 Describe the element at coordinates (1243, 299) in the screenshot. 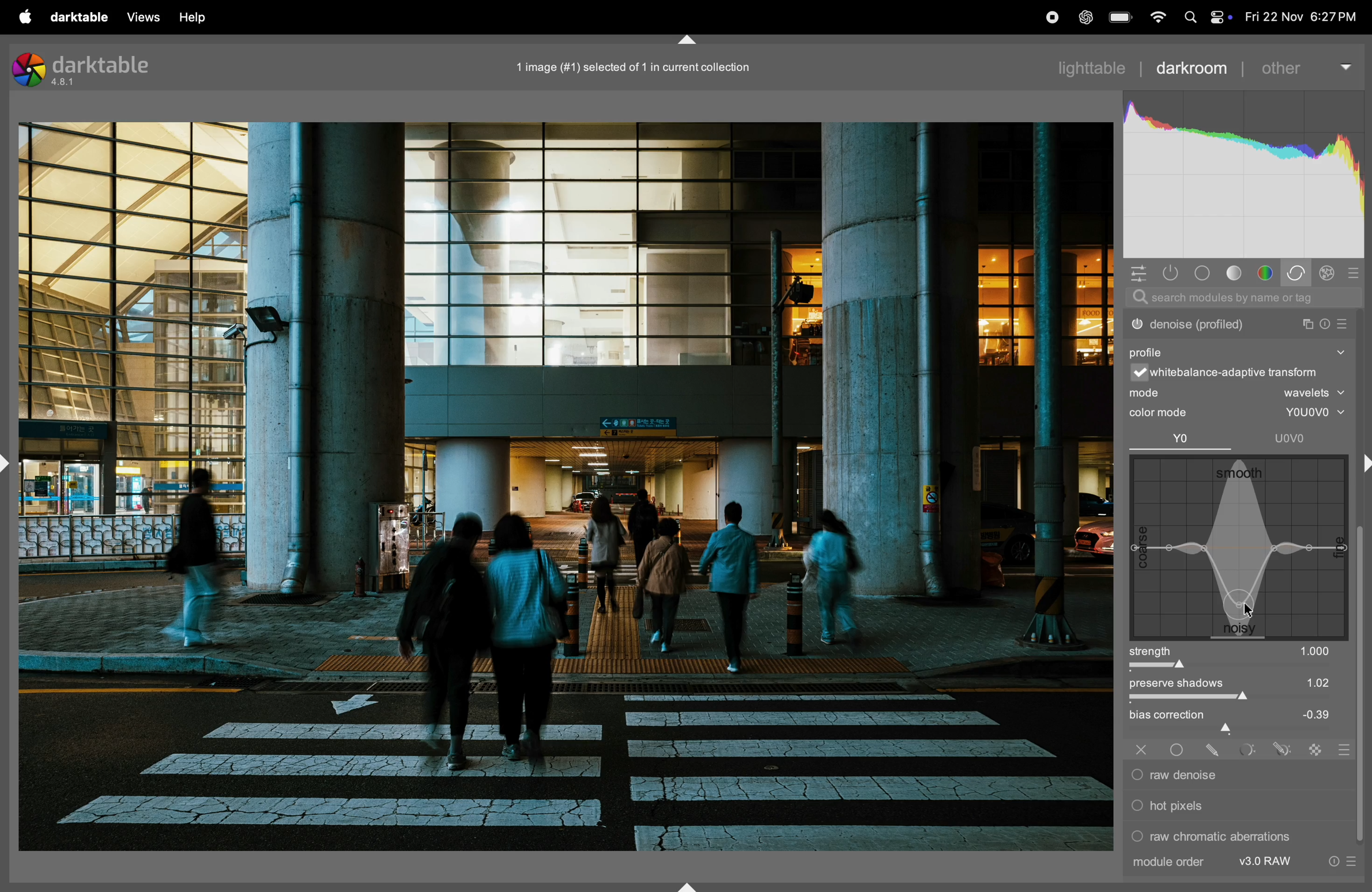

I see `searchbar` at that location.